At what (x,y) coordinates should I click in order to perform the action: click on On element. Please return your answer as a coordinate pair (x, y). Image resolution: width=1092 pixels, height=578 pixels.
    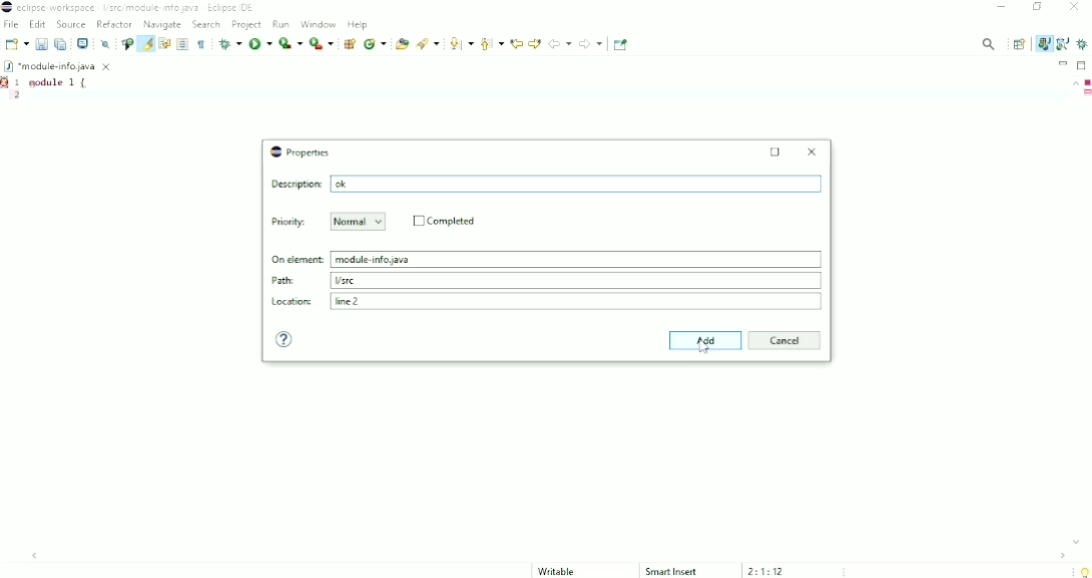
    Looking at the image, I should click on (547, 257).